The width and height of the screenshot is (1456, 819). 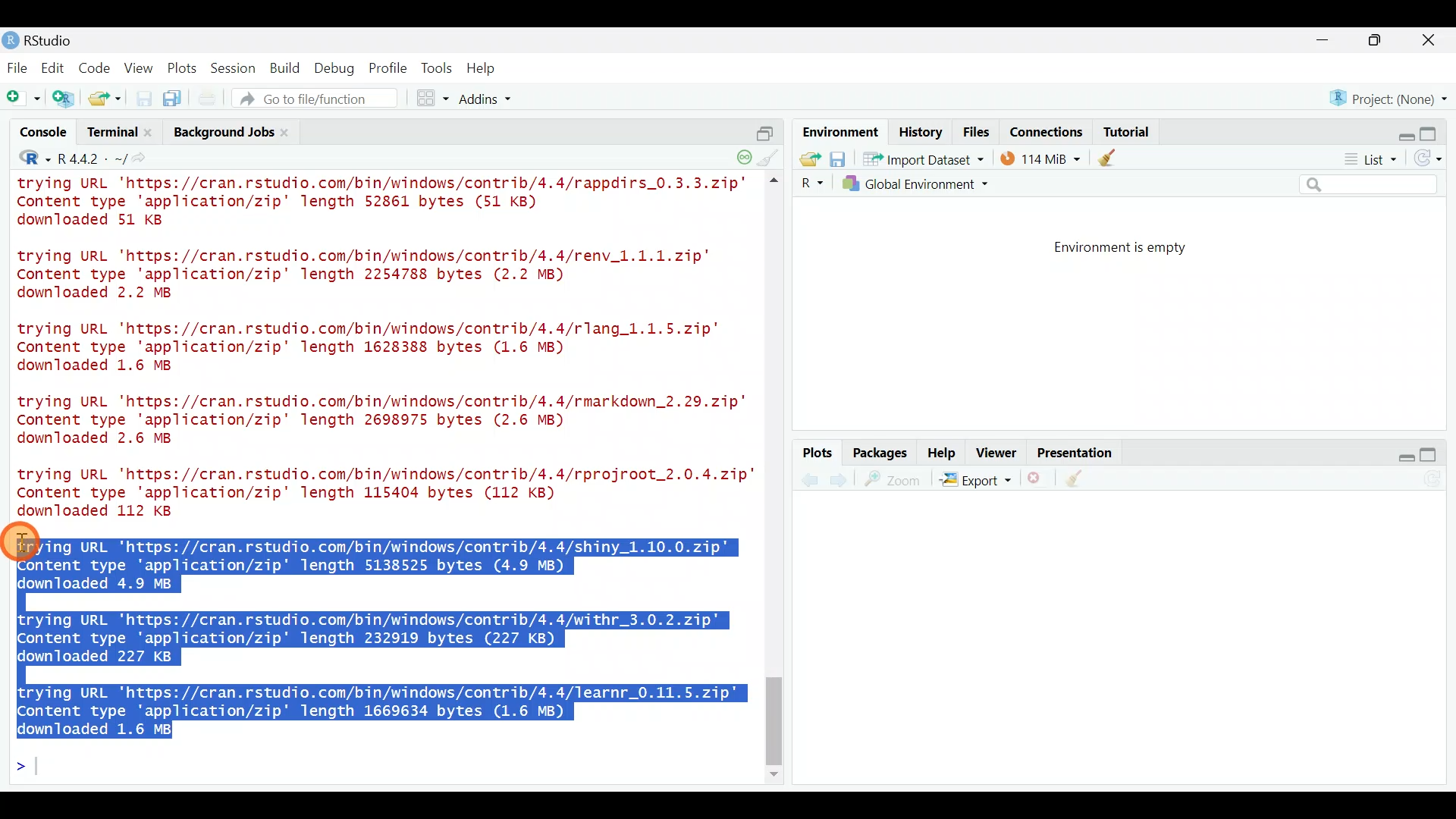 What do you see at coordinates (1330, 41) in the screenshot?
I see `minimize` at bounding box center [1330, 41].